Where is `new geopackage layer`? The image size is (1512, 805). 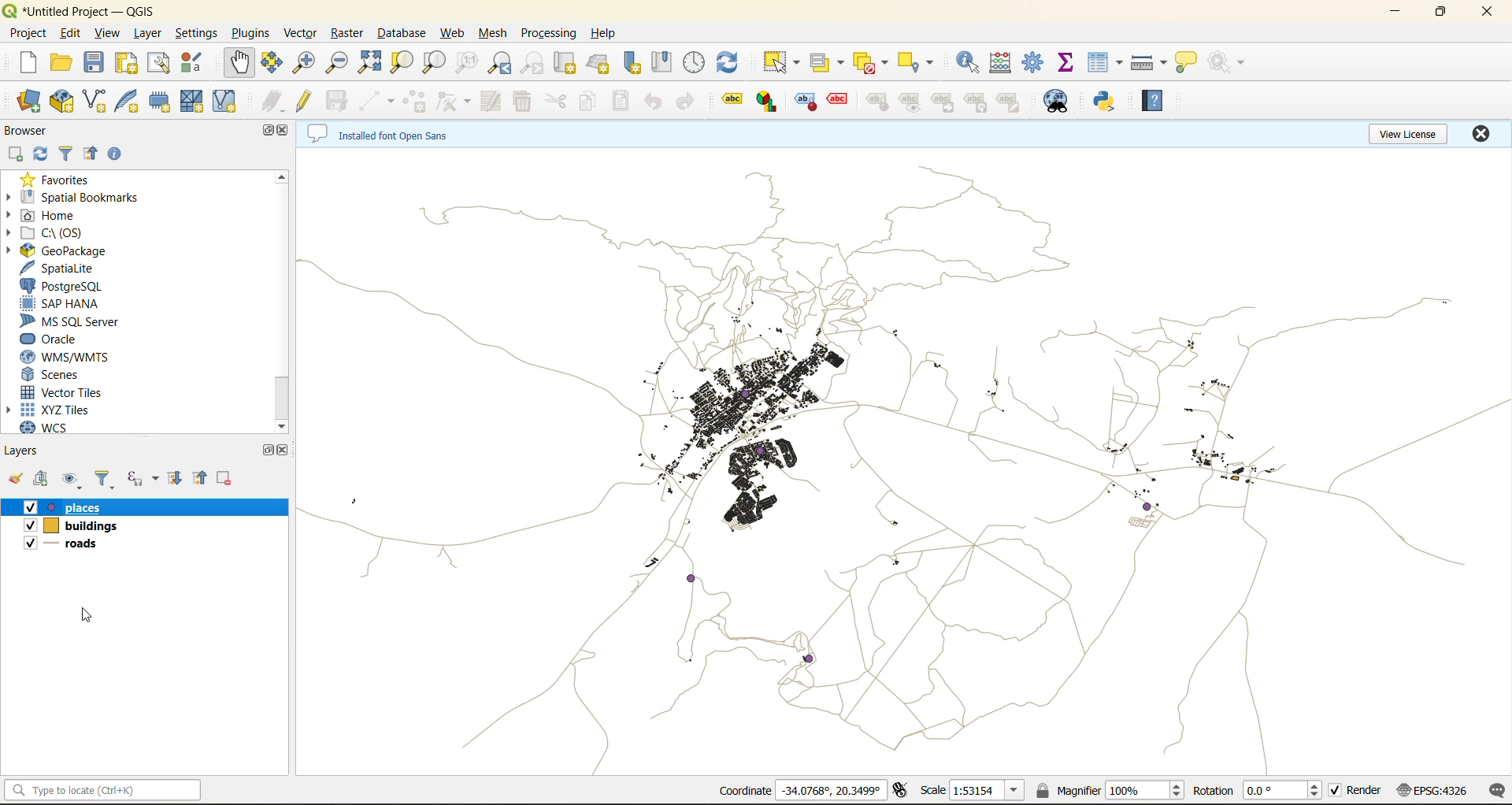
new geopackage layer is located at coordinates (62, 102).